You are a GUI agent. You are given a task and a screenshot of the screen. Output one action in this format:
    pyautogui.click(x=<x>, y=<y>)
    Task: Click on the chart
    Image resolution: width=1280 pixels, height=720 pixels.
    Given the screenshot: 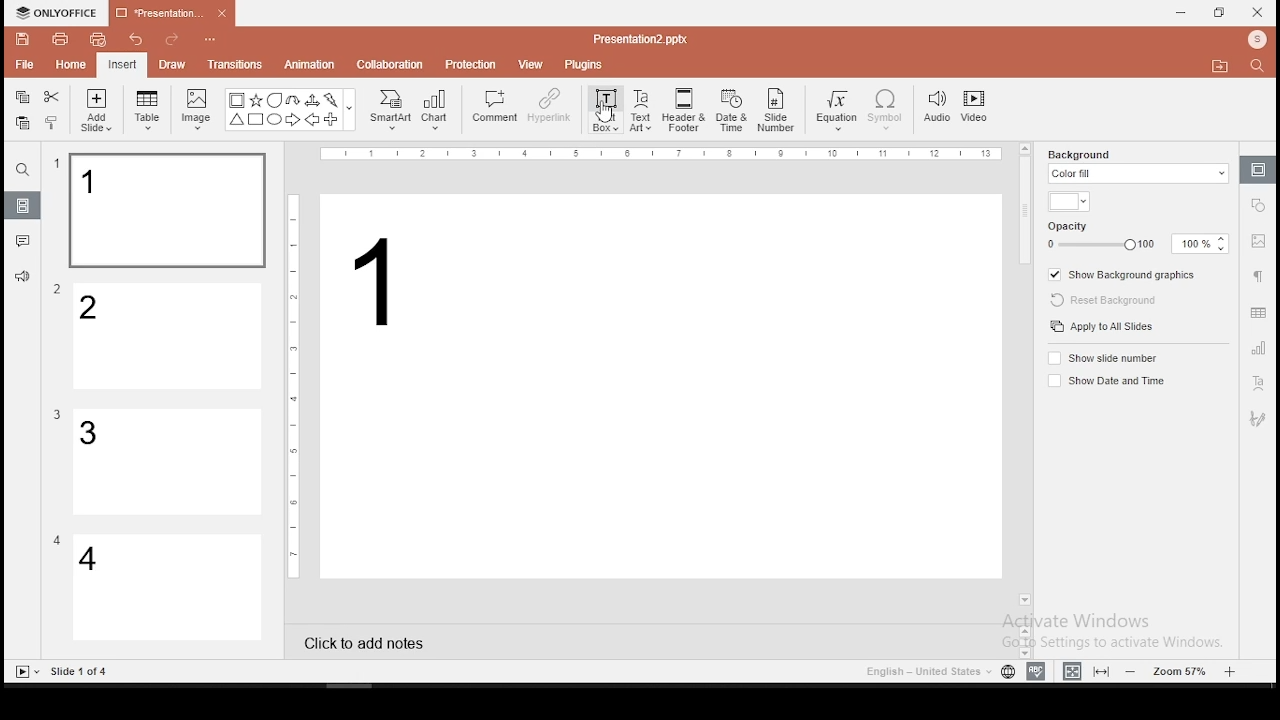 What is the action you would take?
    pyautogui.click(x=436, y=109)
    